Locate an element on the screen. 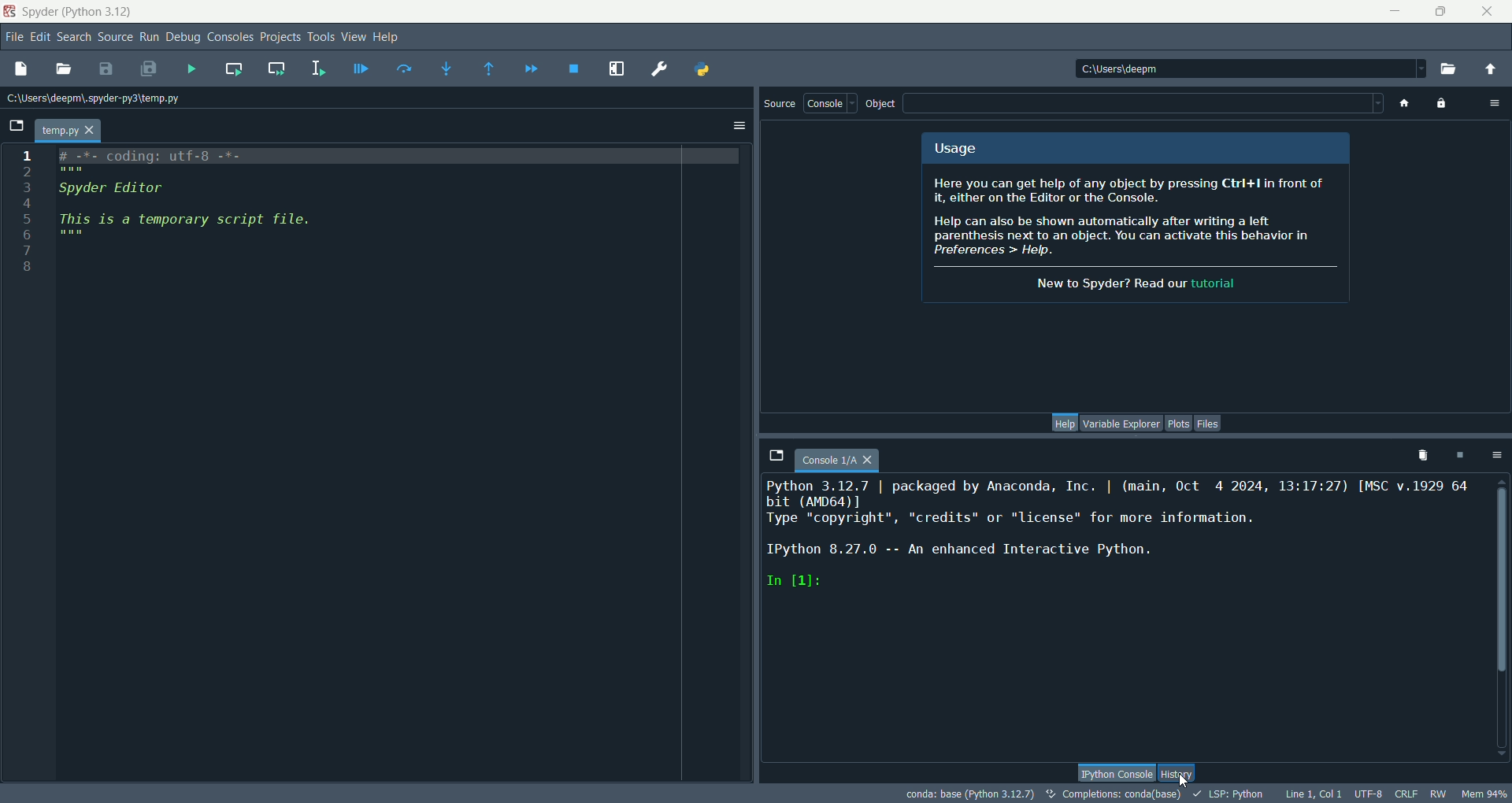 The width and height of the screenshot is (1512, 803). UTF-8 is located at coordinates (1367, 794).